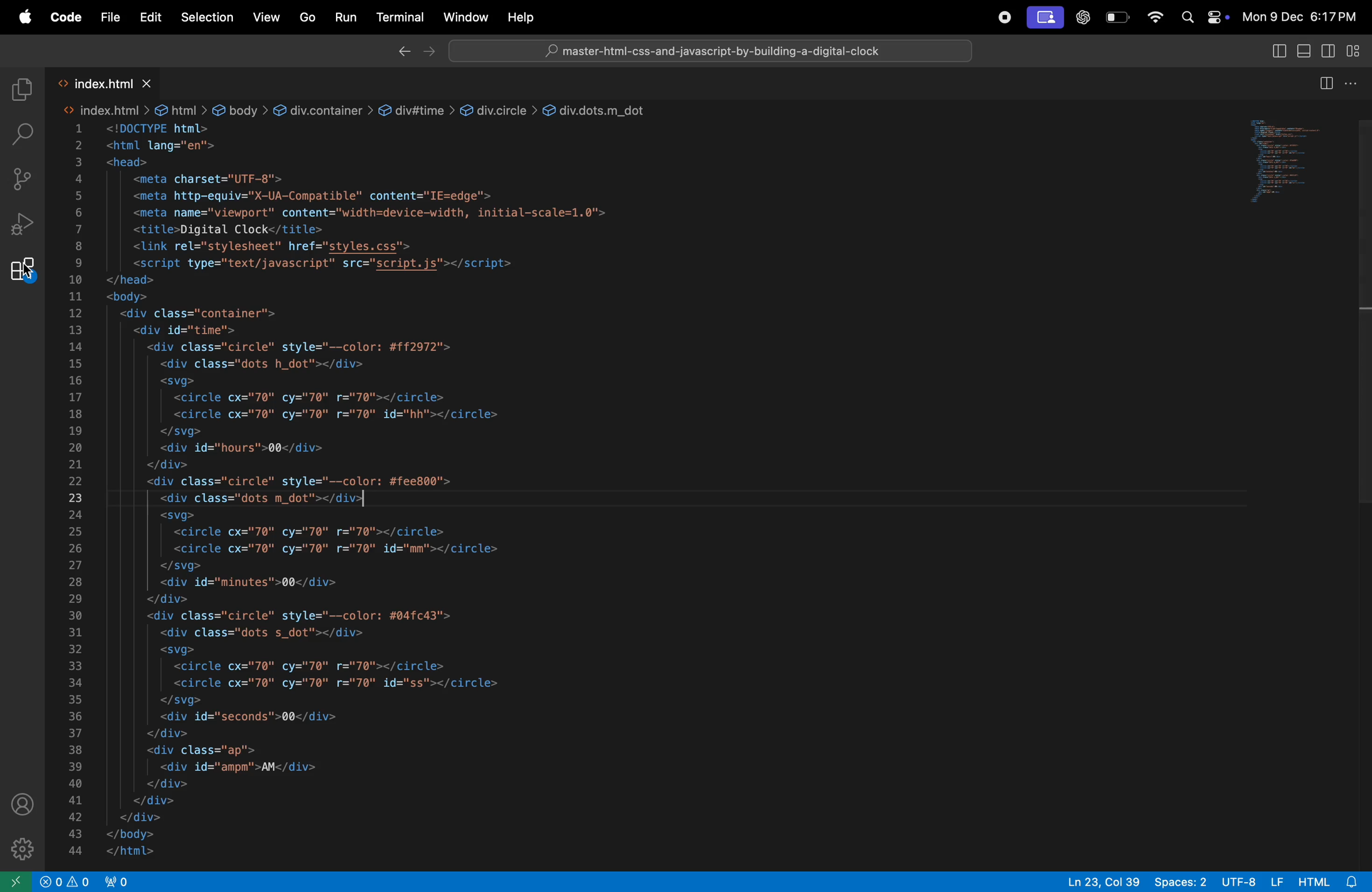 This screenshot has width=1372, height=892. Describe the element at coordinates (998, 17) in the screenshot. I see `record` at that location.